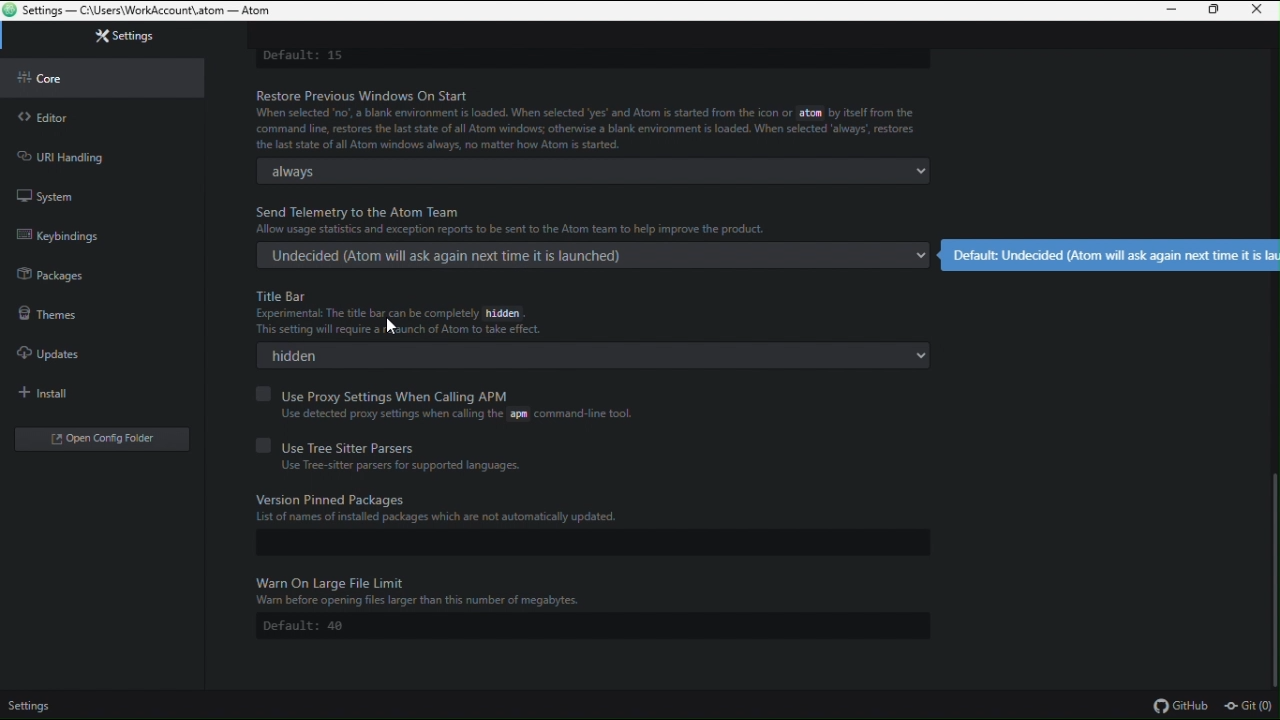 The height and width of the screenshot is (720, 1280). What do you see at coordinates (110, 196) in the screenshot?
I see `system` at bounding box center [110, 196].